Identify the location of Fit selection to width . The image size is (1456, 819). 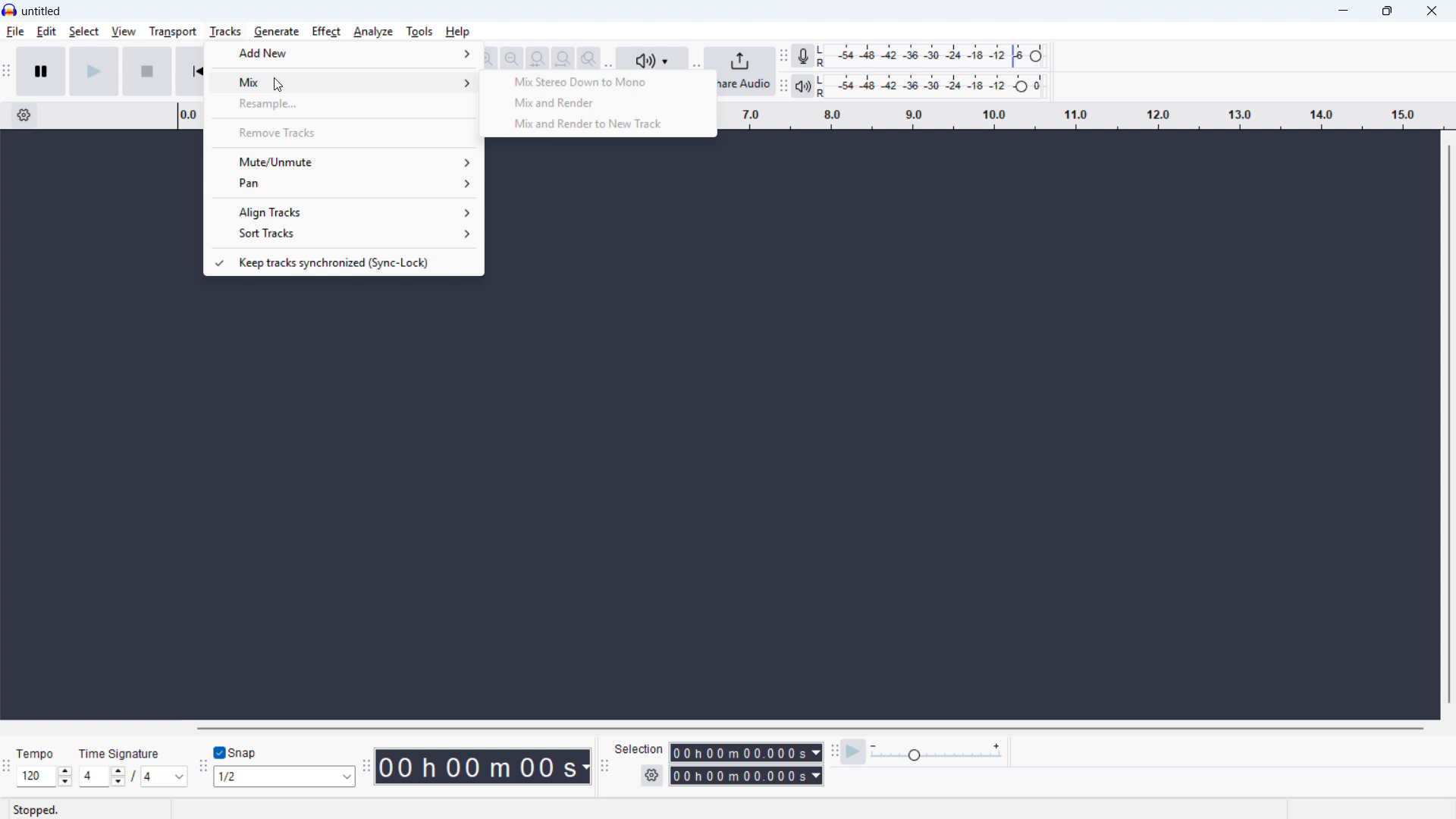
(538, 58).